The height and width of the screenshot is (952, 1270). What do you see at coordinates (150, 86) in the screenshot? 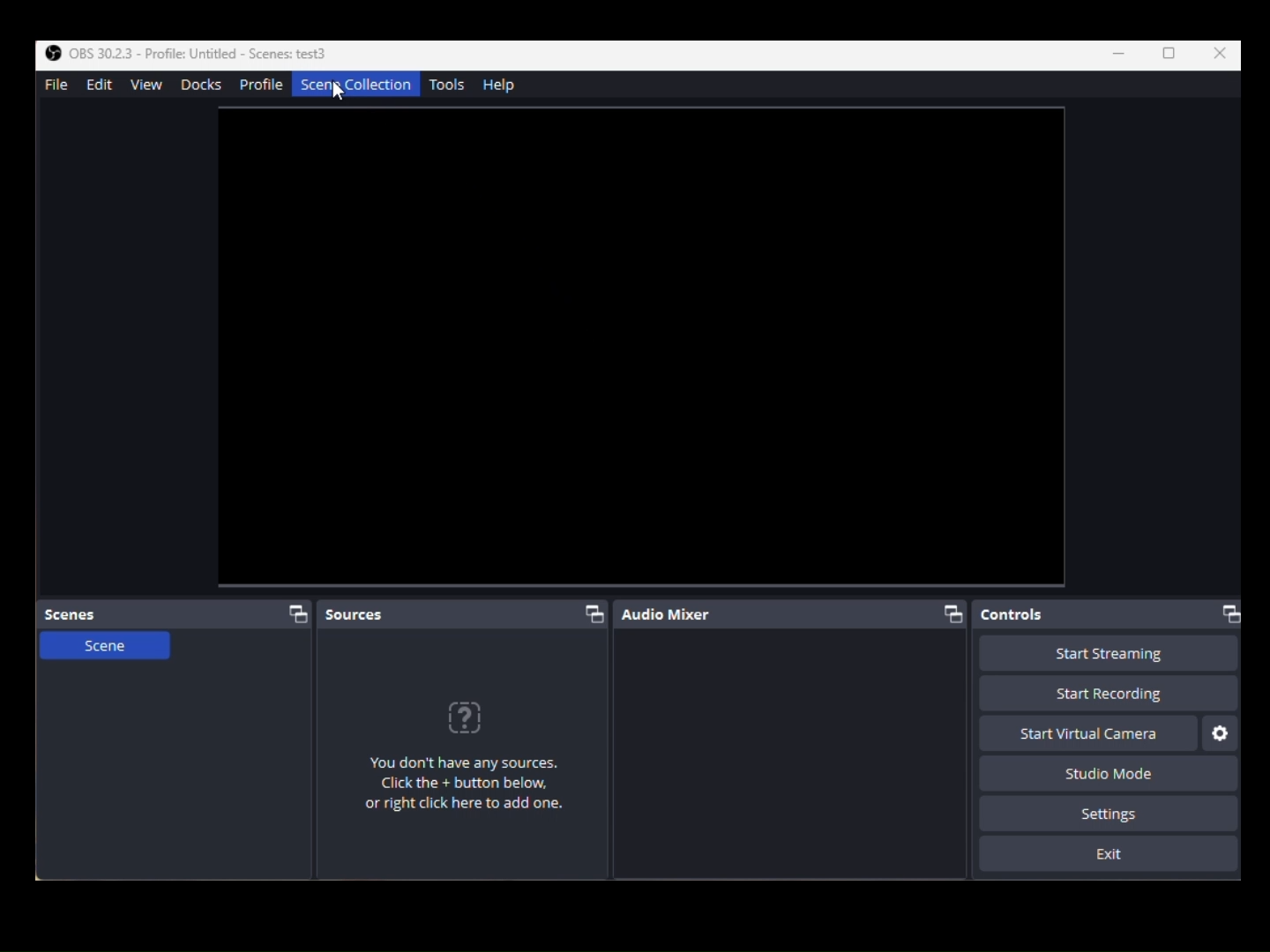
I see `View` at bounding box center [150, 86].